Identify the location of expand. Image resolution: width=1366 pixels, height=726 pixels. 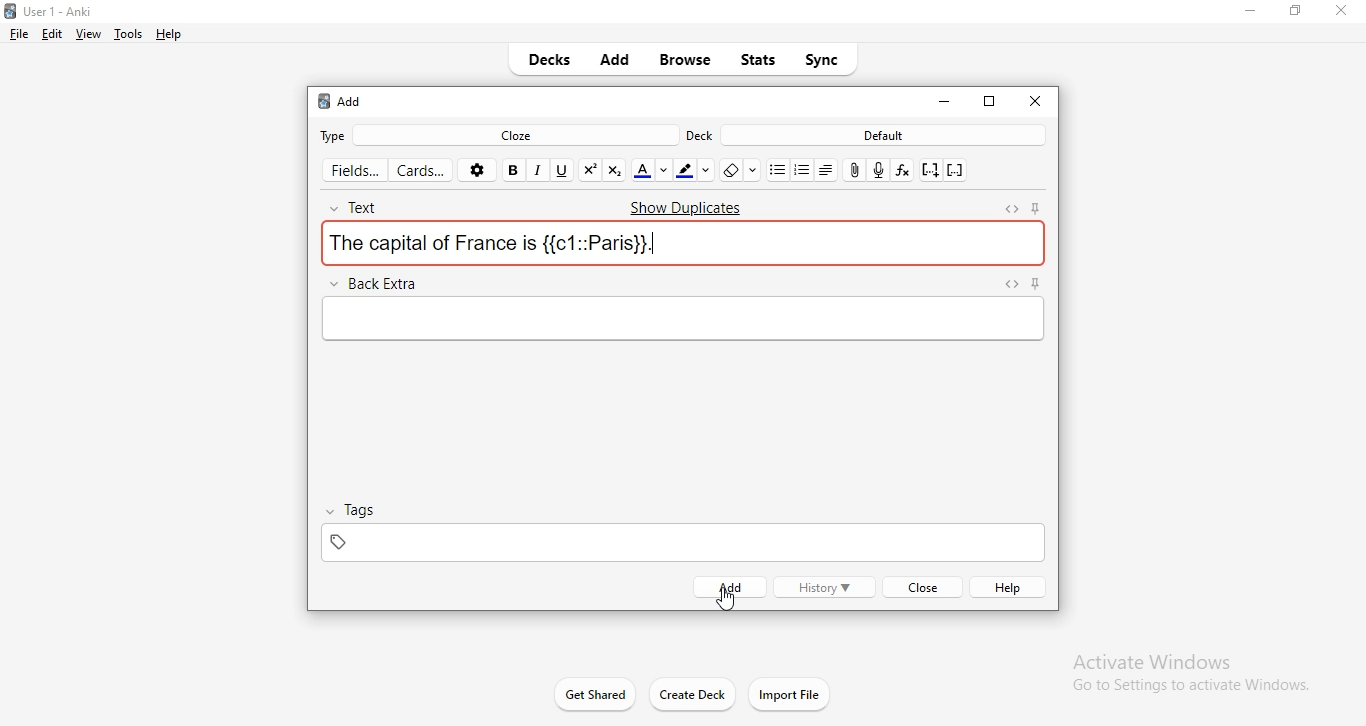
(1009, 284).